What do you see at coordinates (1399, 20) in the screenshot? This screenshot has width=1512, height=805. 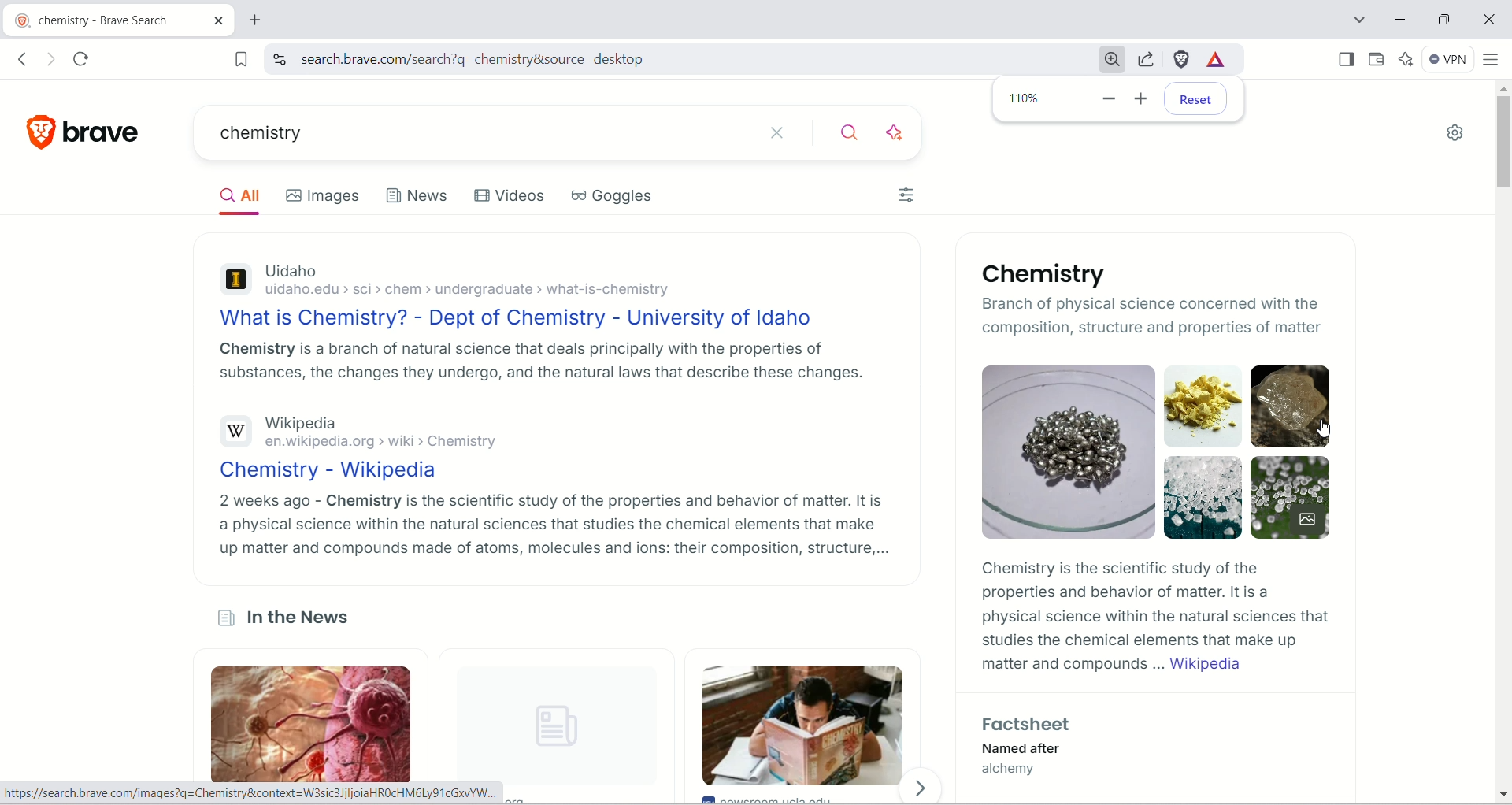 I see `minimize` at bounding box center [1399, 20].